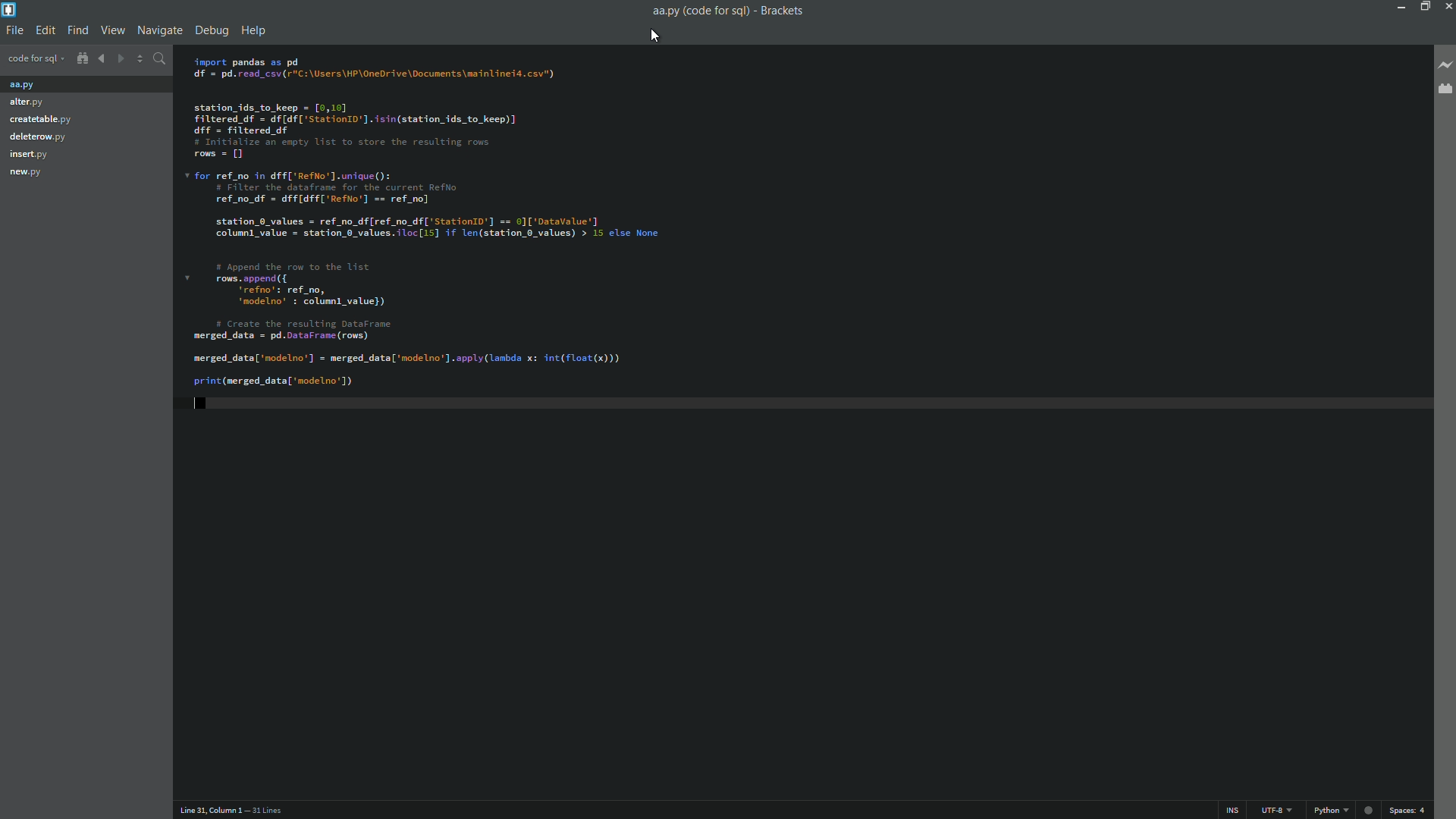 This screenshot has height=819, width=1456. Describe the element at coordinates (1407, 810) in the screenshot. I see `space` at that location.